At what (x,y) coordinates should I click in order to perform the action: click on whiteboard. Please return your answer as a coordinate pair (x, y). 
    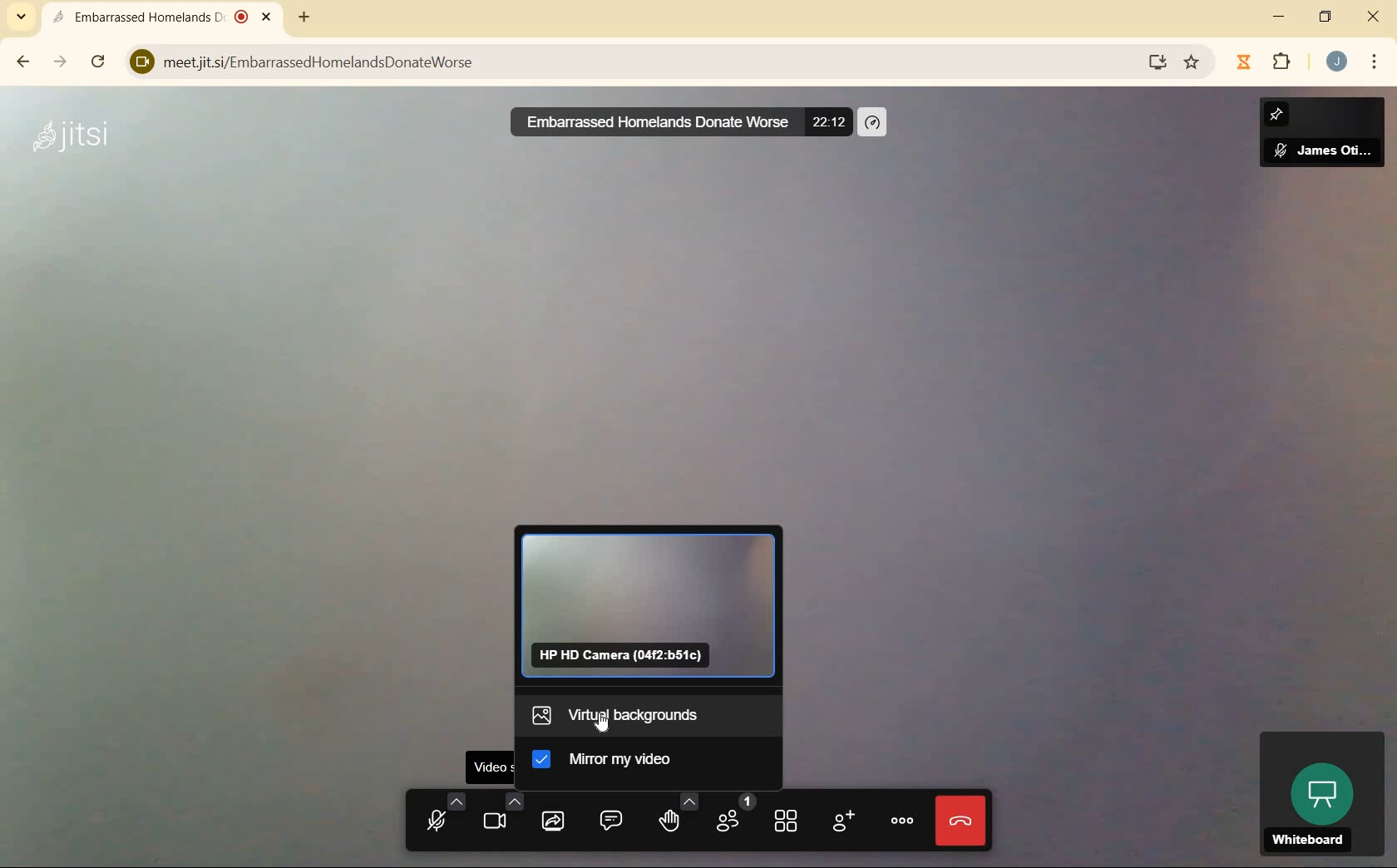
    Looking at the image, I should click on (1318, 792).